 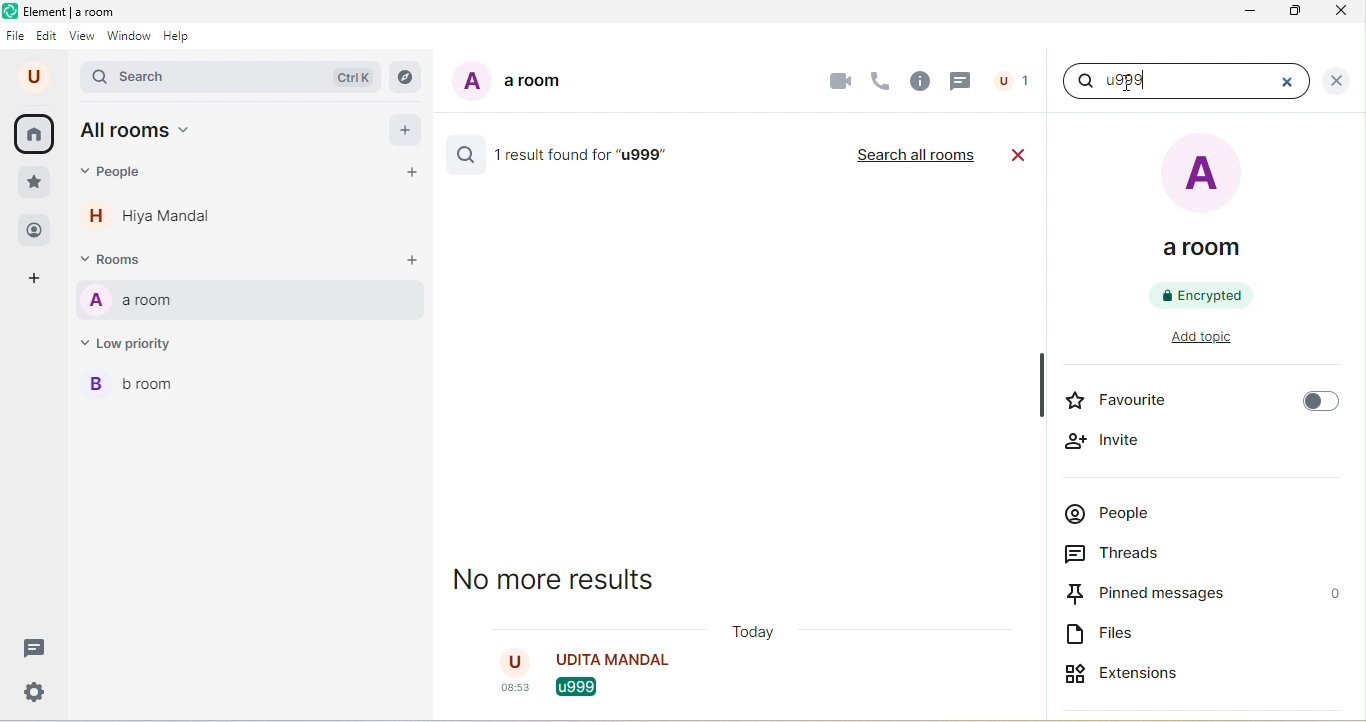 I want to click on explore room, so click(x=407, y=77).